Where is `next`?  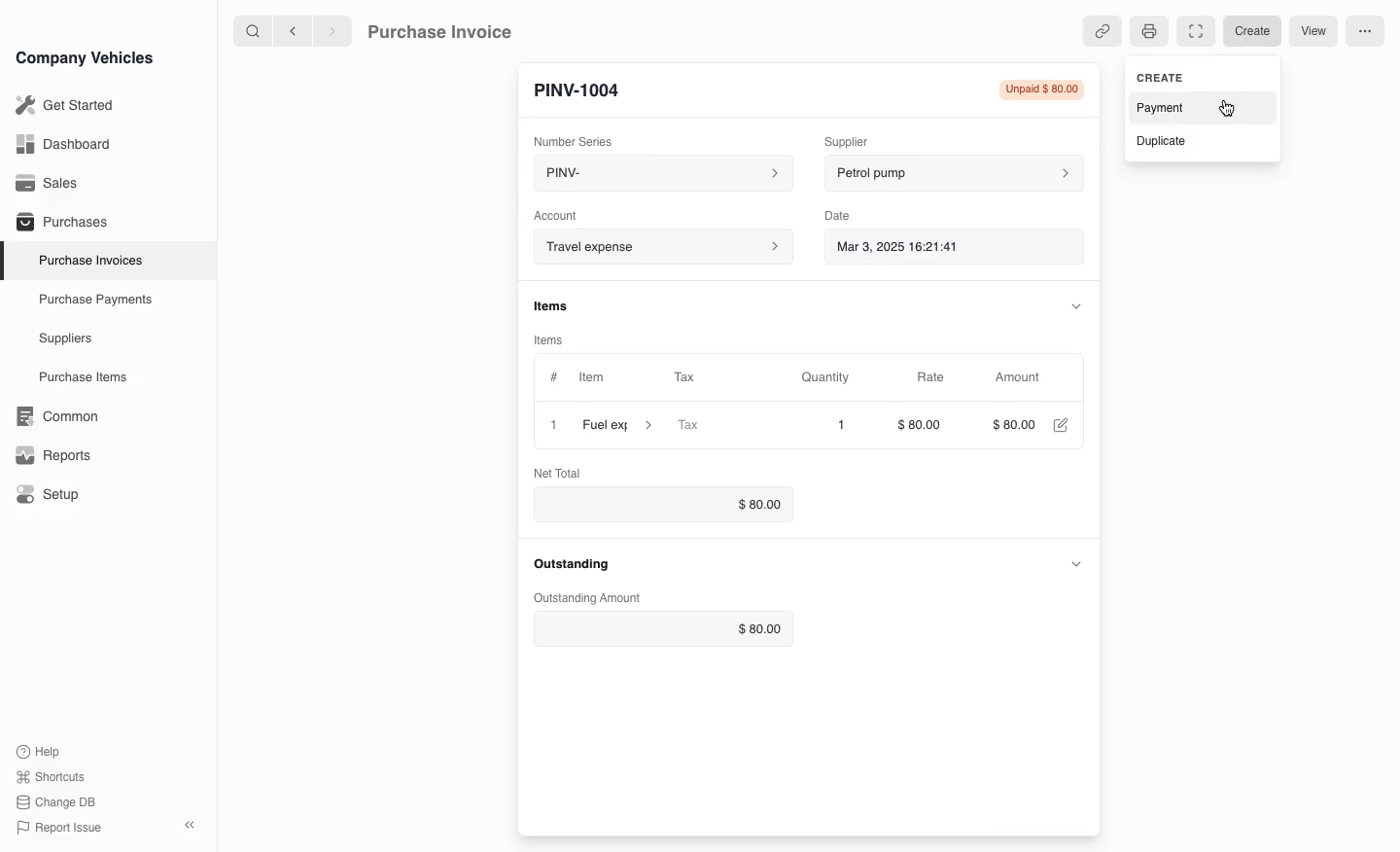
next is located at coordinates (332, 30).